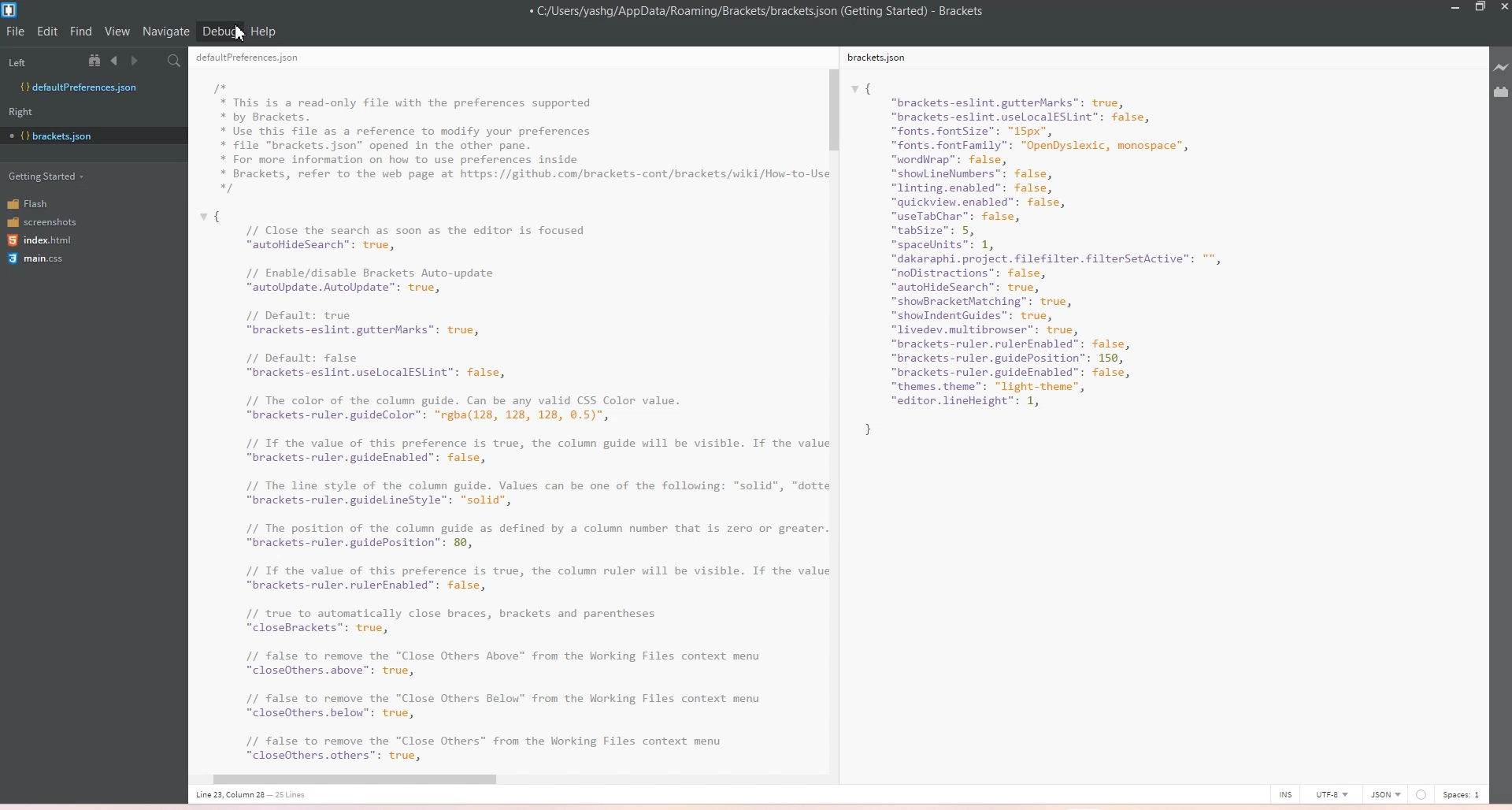  What do you see at coordinates (26, 111) in the screenshot?
I see `Right` at bounding box center [26, 111].